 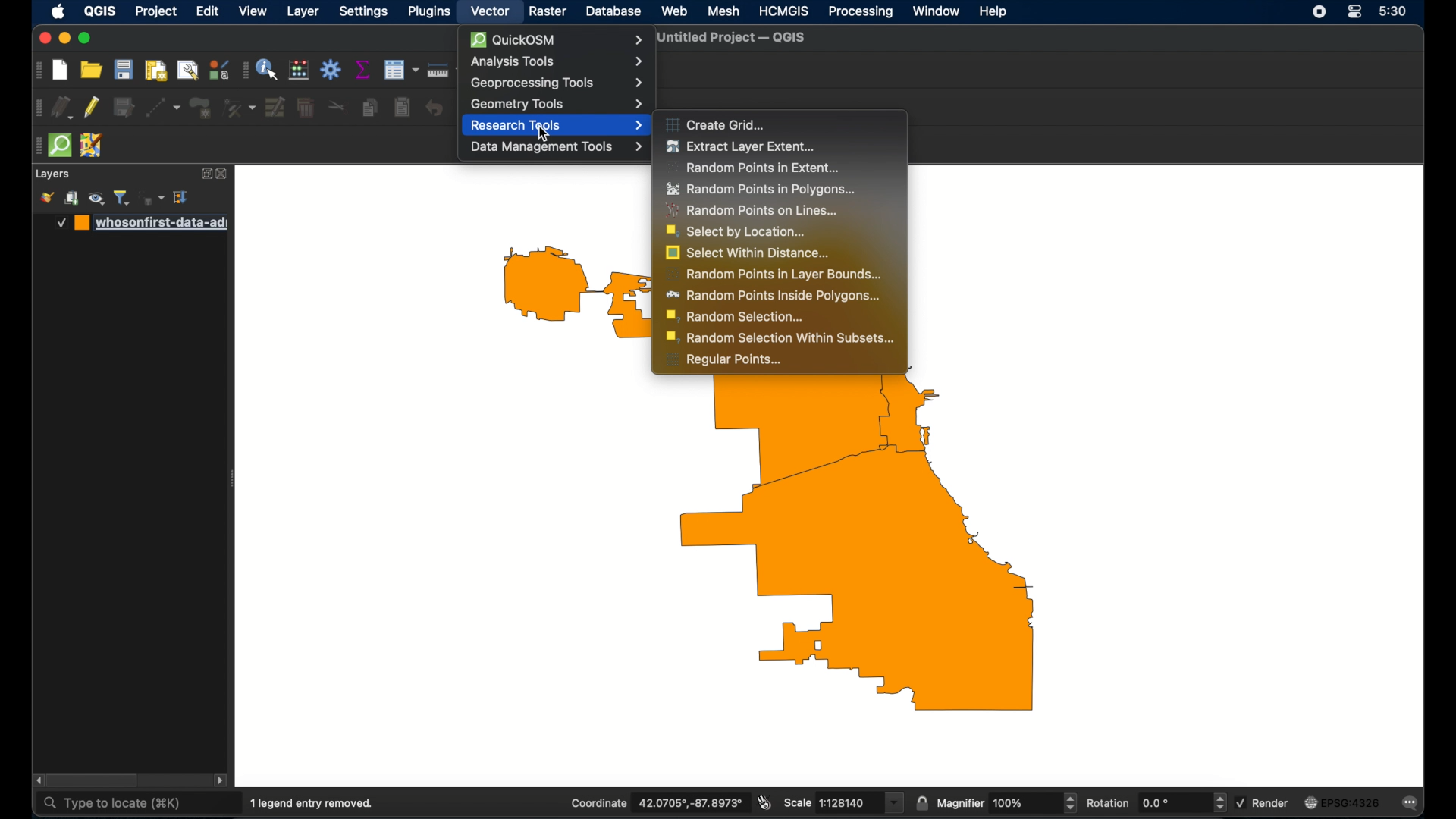 What do you see at coordinates (155, 70) in the screenshot?
I see `print layout` at bounding box center [155, 70].